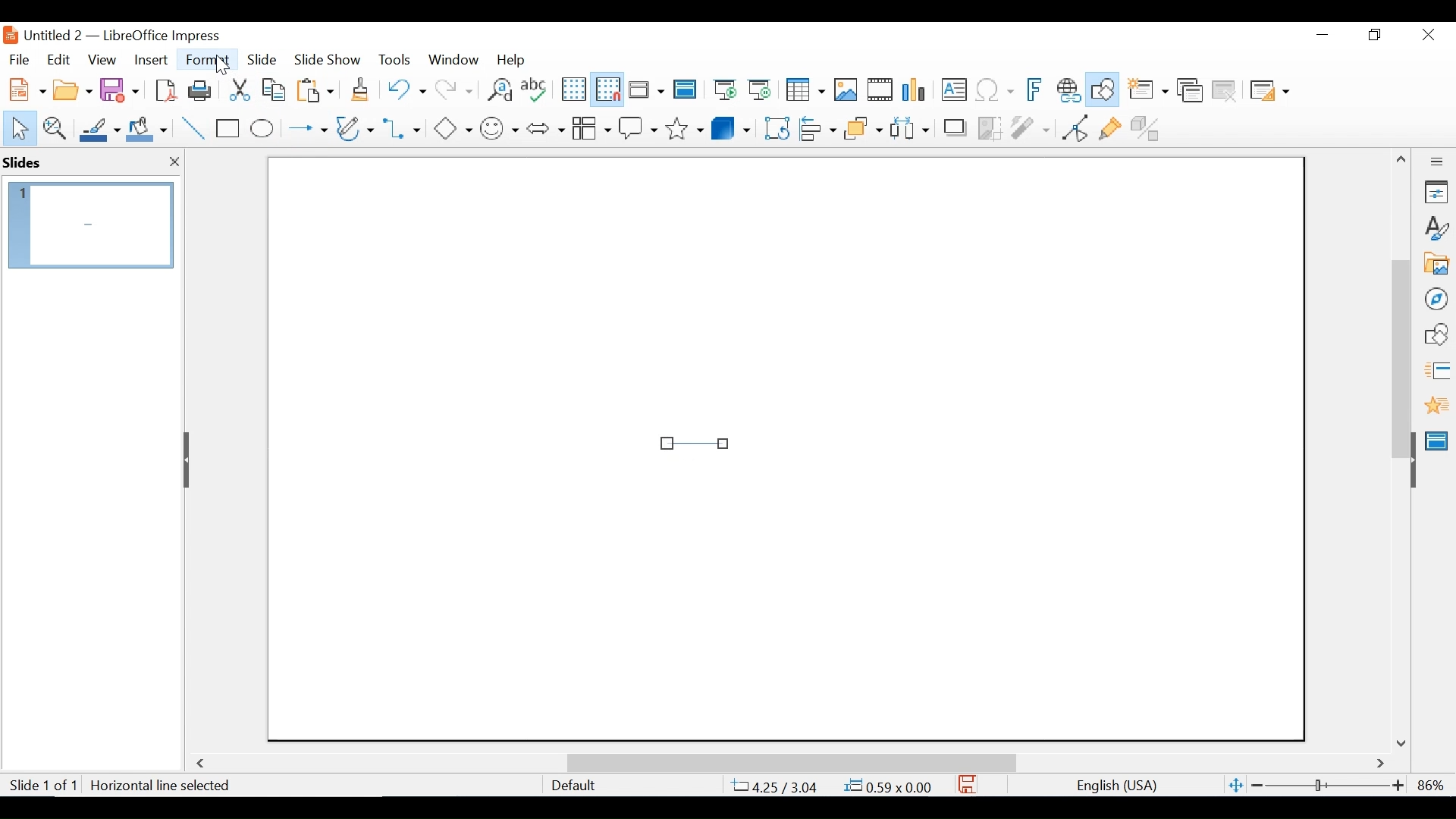  I want to click on Rotate, so click(775, 127).